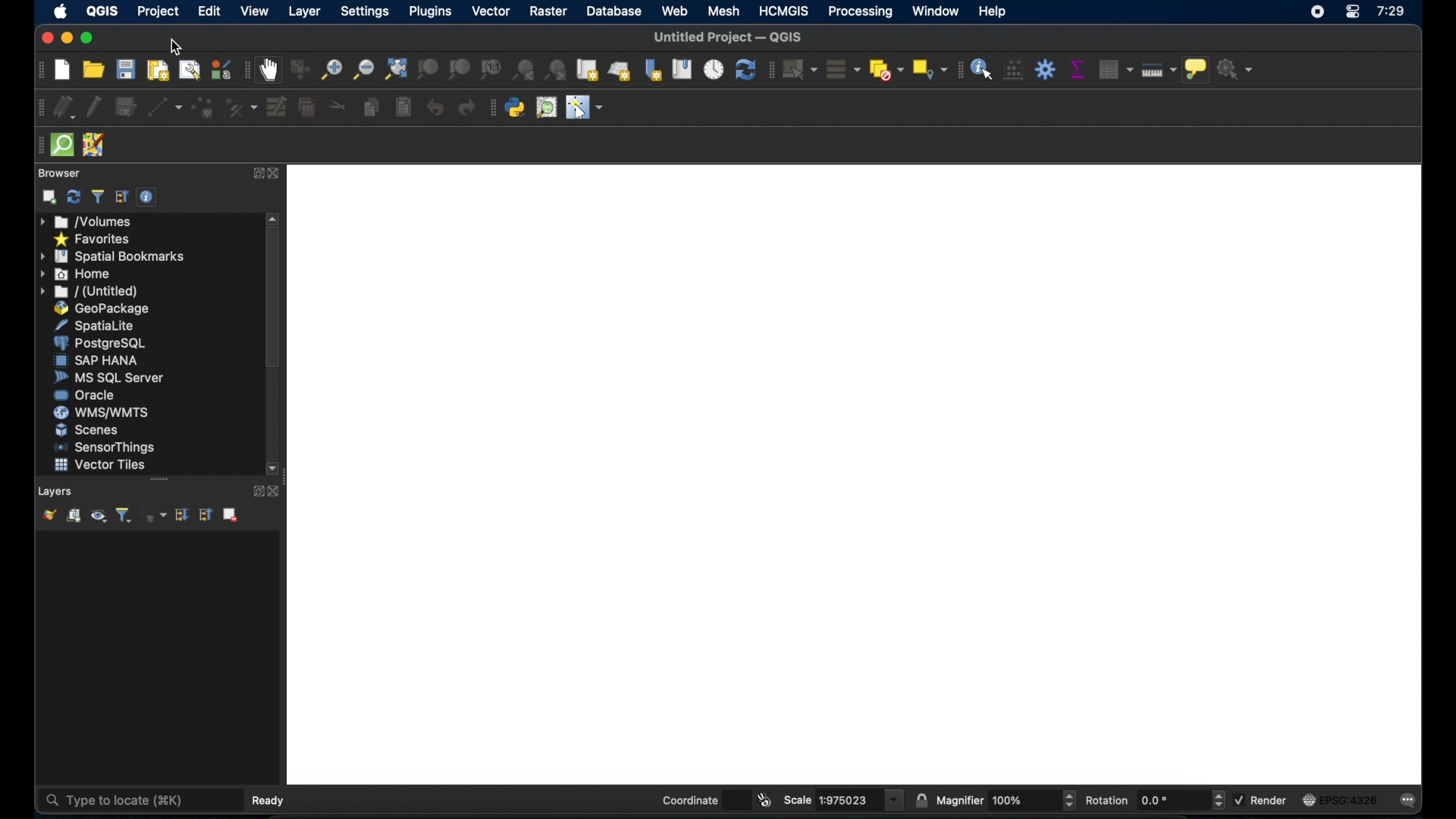 Image resolution: width=1456 pixels, height=819 pixels. What do you see at coordinates (42, 38) in the screenshot?
I see `close` at bounding box center [42, 38].